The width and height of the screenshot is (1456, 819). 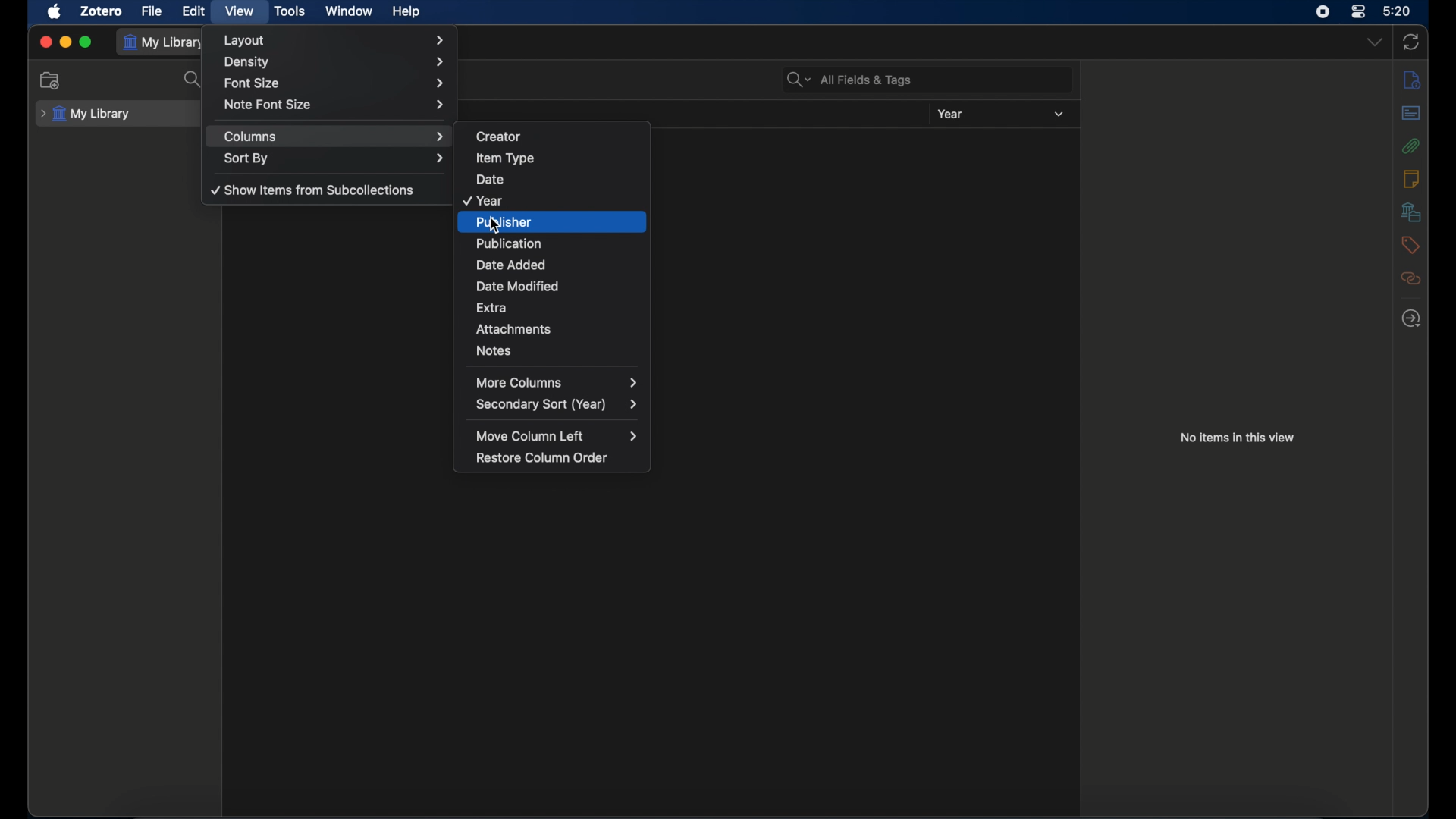 I want to click on notes, so click(x=557, y=350).